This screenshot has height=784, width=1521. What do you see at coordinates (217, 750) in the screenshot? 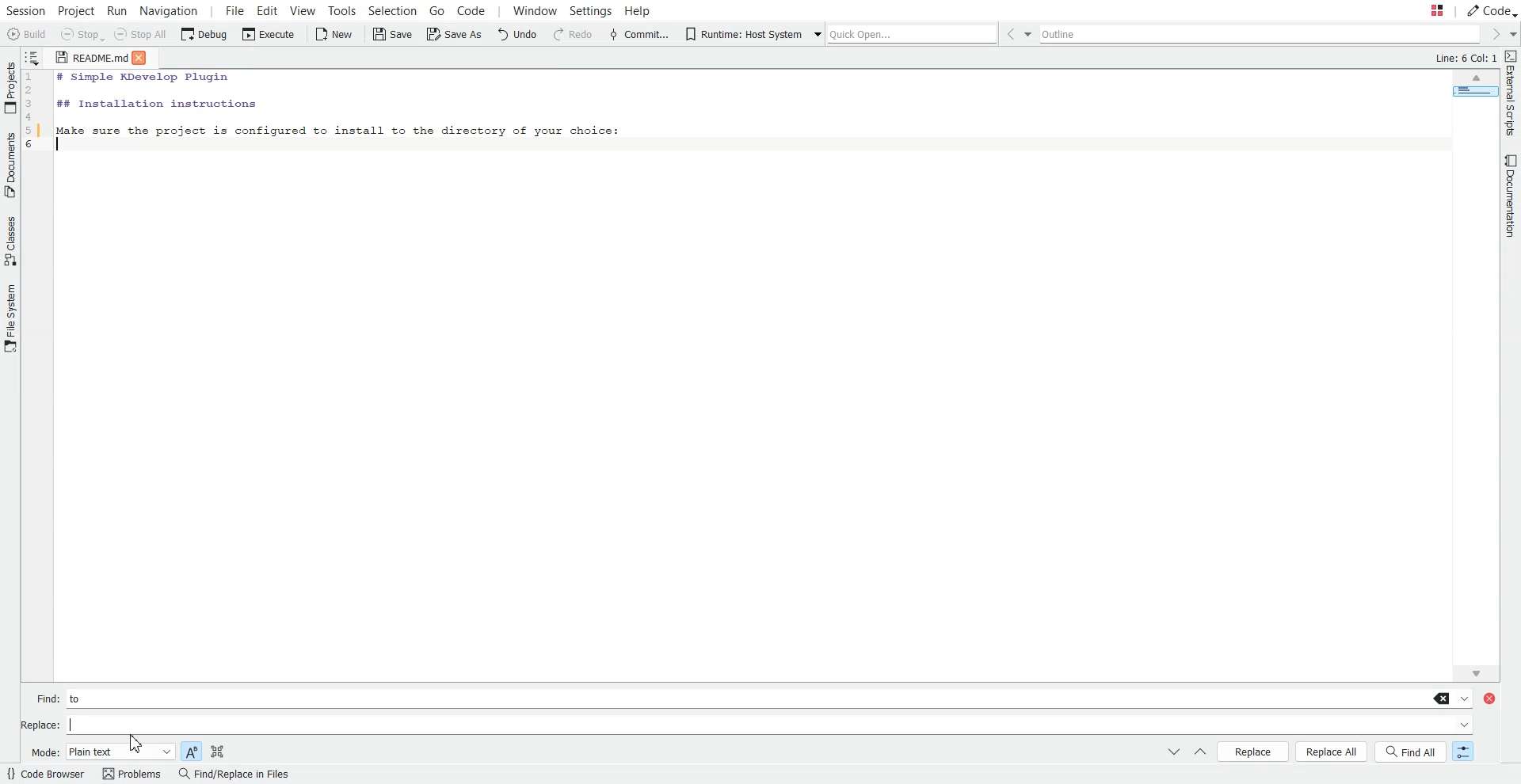
I see `Search in selection only` at bounding box center [217, 750].